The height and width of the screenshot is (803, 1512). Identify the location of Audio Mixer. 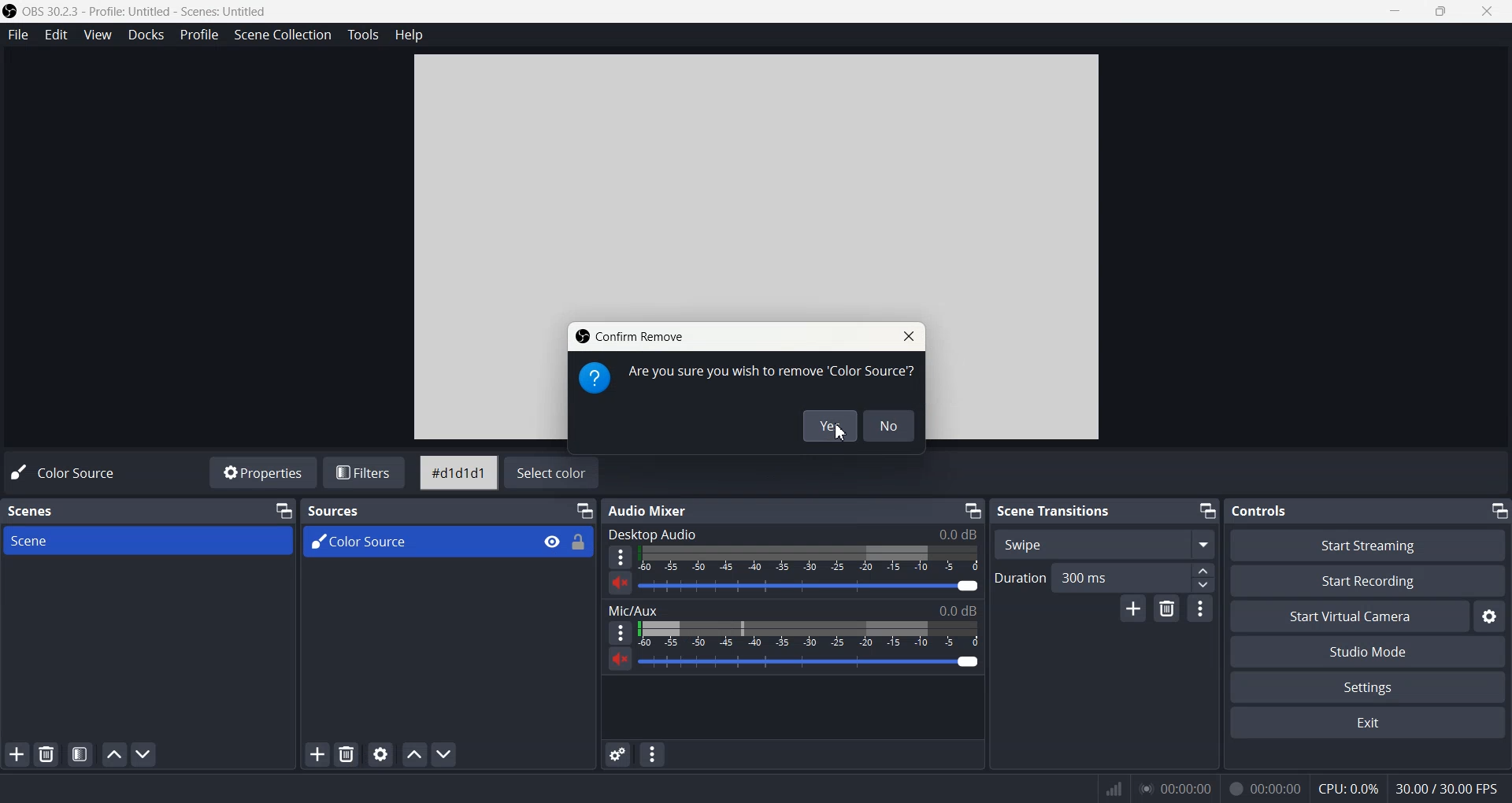
(650, 510).